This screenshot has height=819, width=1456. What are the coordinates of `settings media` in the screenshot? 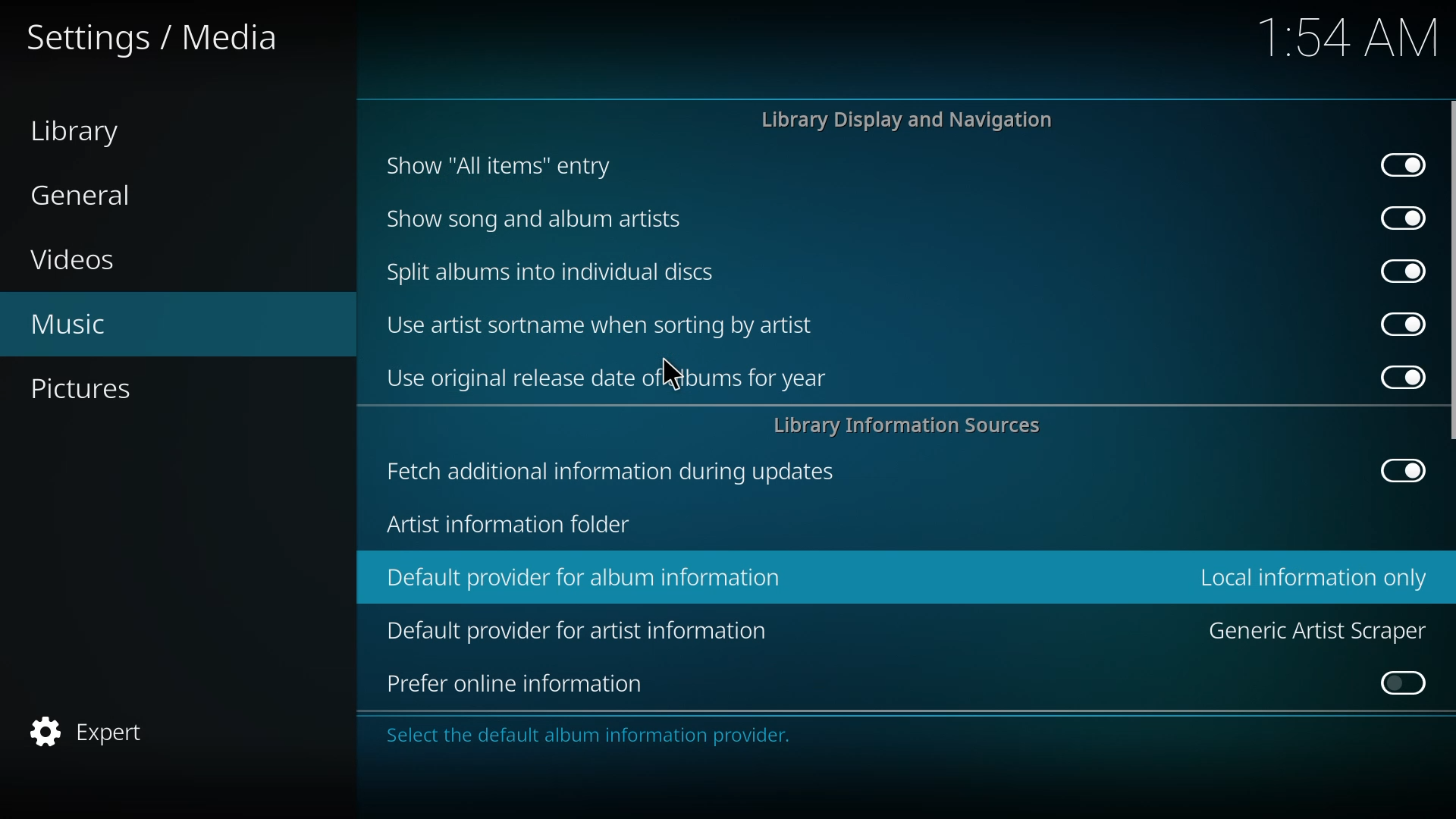 It's located at (157, 37).